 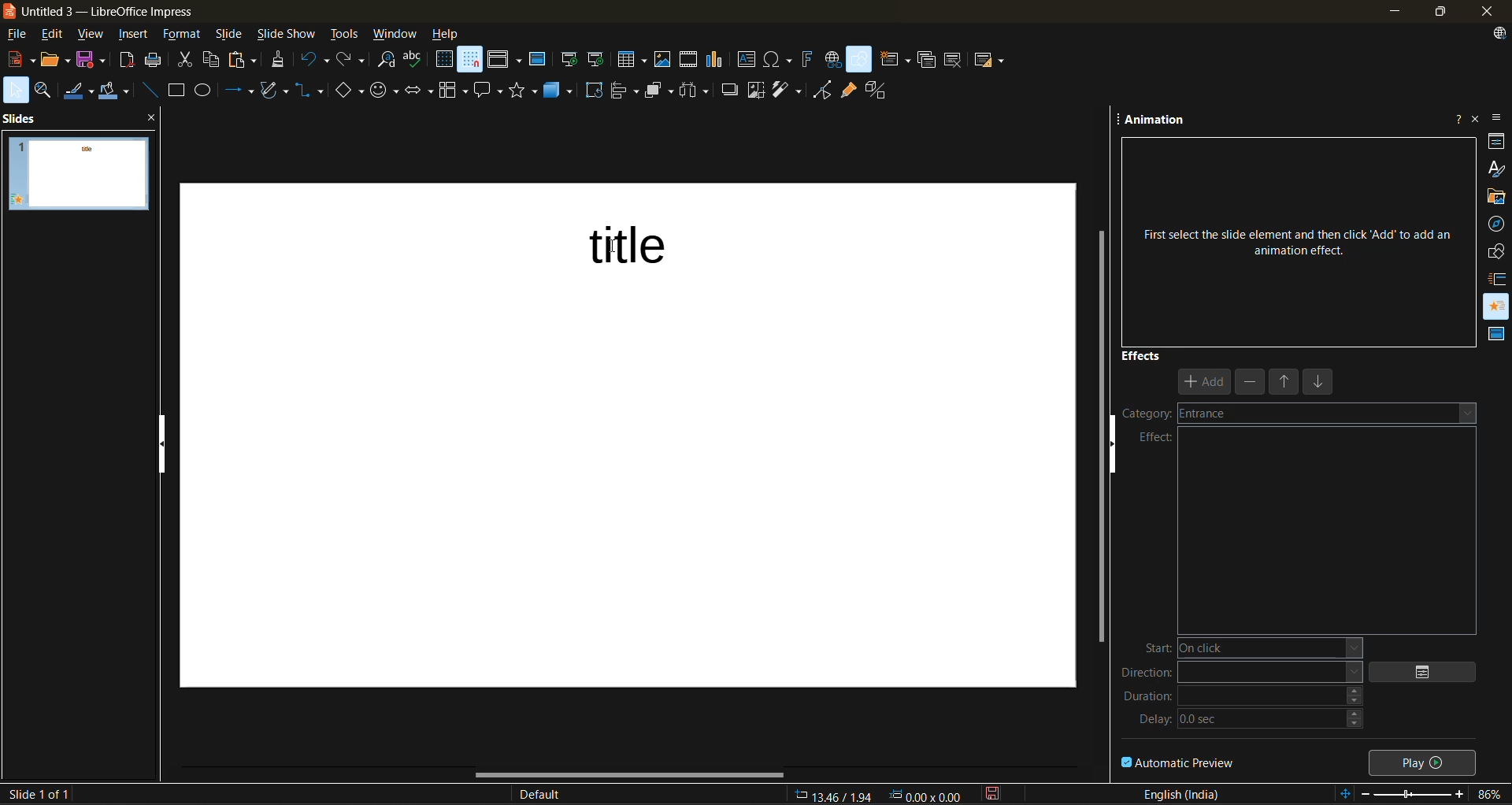 What do you see at coordinates (184, 61) in the screenshot?
I see `cut` at bounding box center [184, 61].